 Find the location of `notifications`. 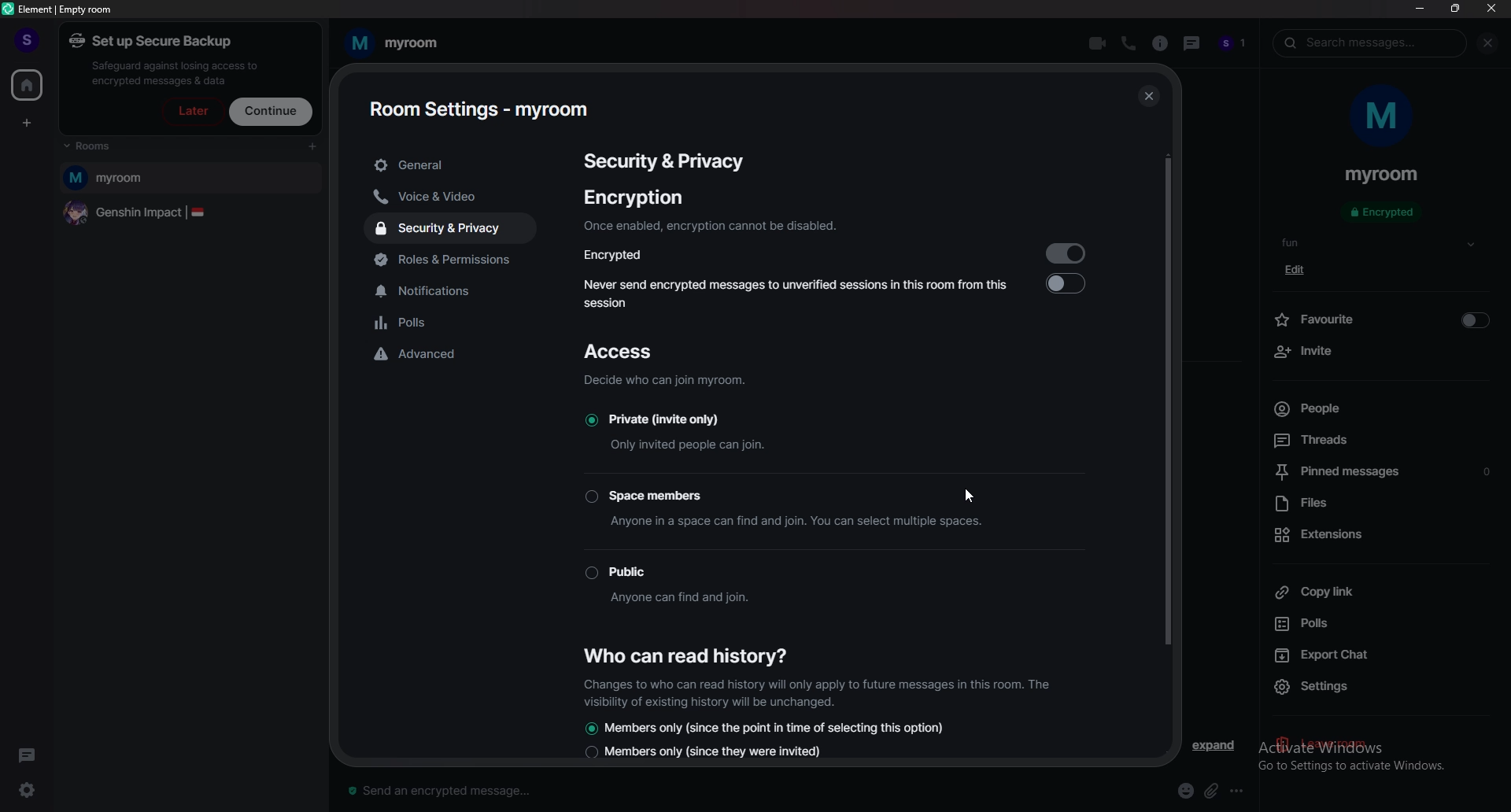

notifications is located at coordinates (452, 291).